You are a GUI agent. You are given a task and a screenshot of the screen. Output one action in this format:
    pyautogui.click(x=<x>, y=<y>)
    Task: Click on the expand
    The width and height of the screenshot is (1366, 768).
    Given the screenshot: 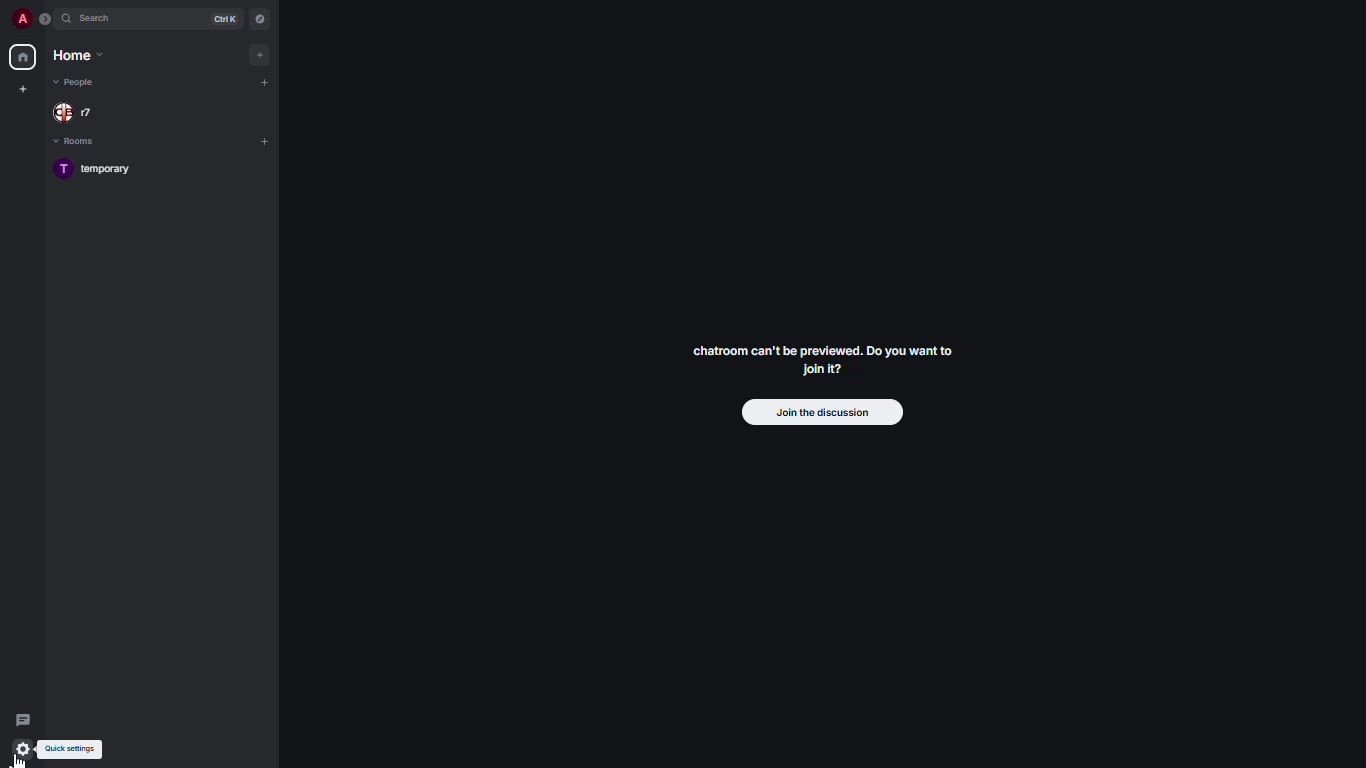 What is the action you would take?
    pyautogui.click(x=47, y=18)
    